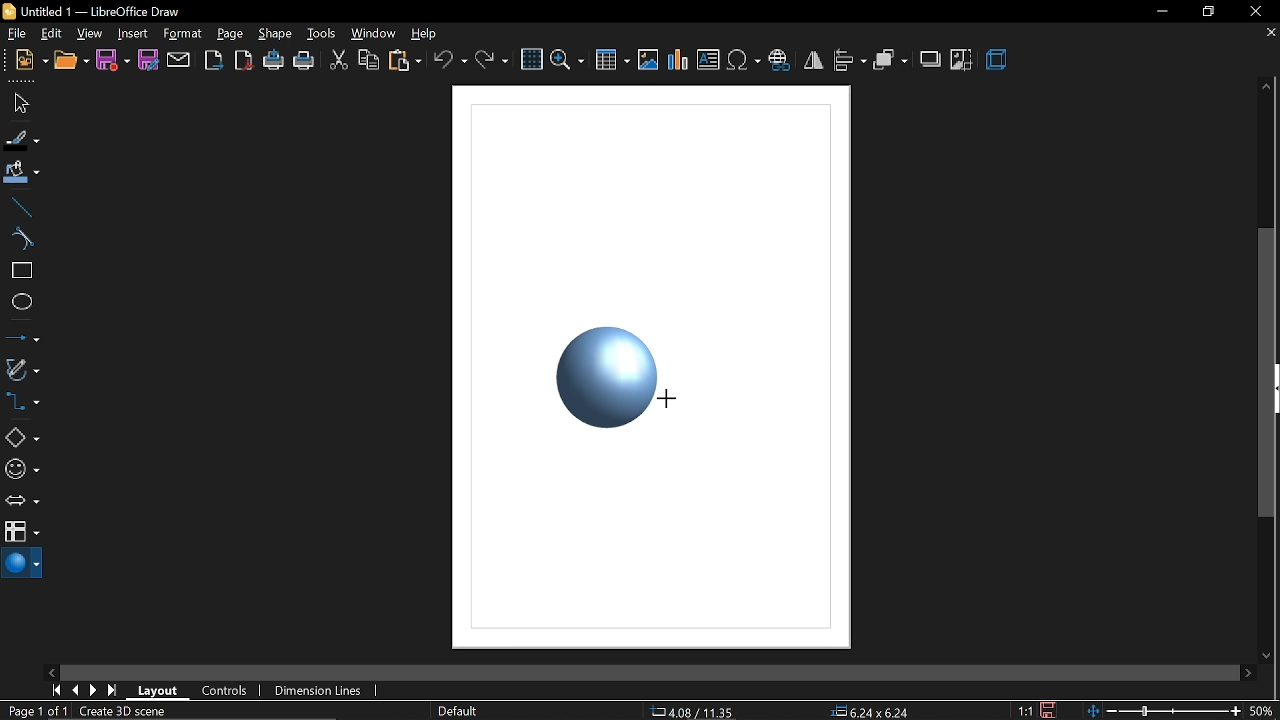  I want to click on 1:1, so click(1023, 710).